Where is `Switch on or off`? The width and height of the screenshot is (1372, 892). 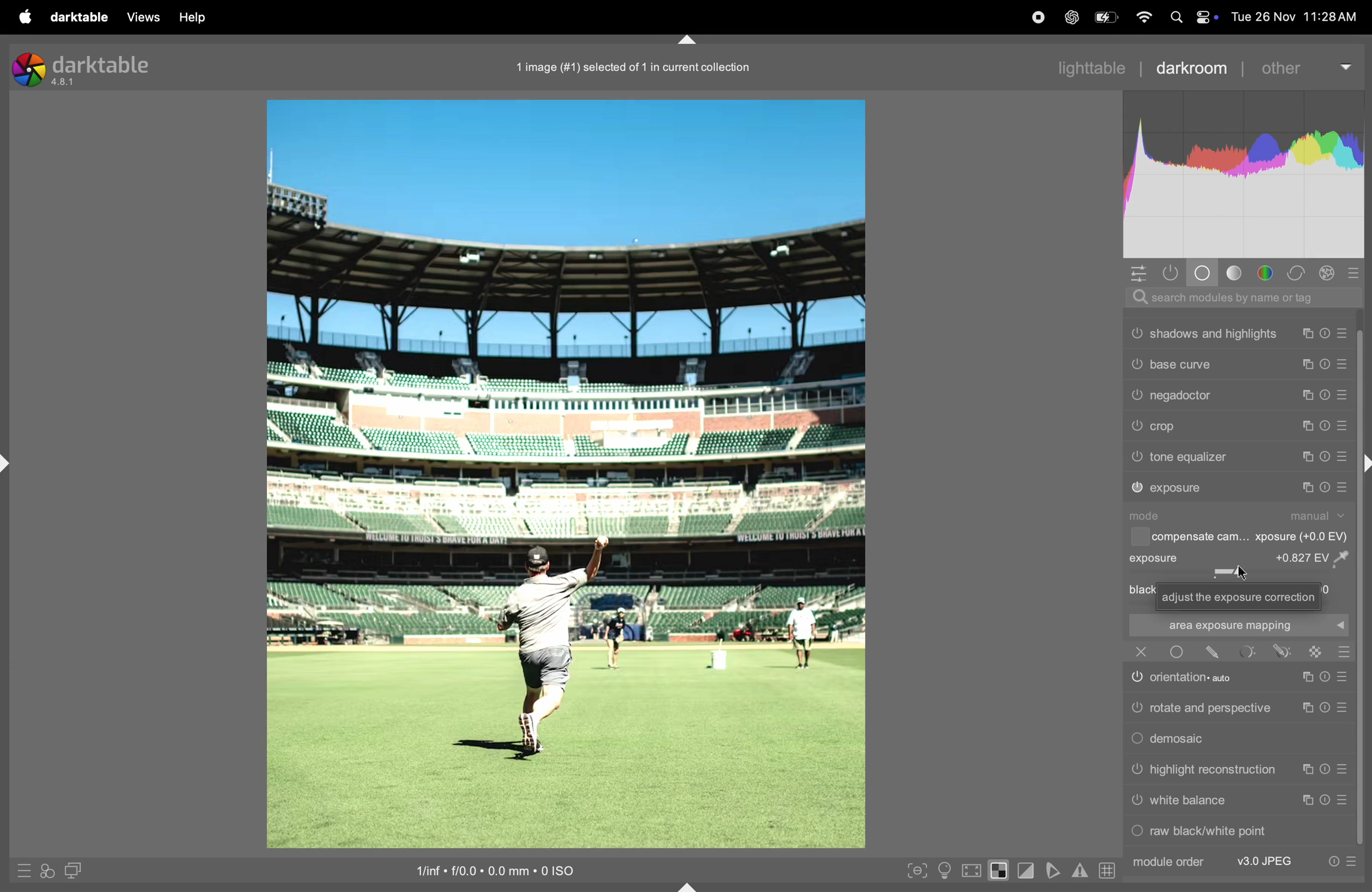 Switch on or off is located at coordinates (1136, 426).